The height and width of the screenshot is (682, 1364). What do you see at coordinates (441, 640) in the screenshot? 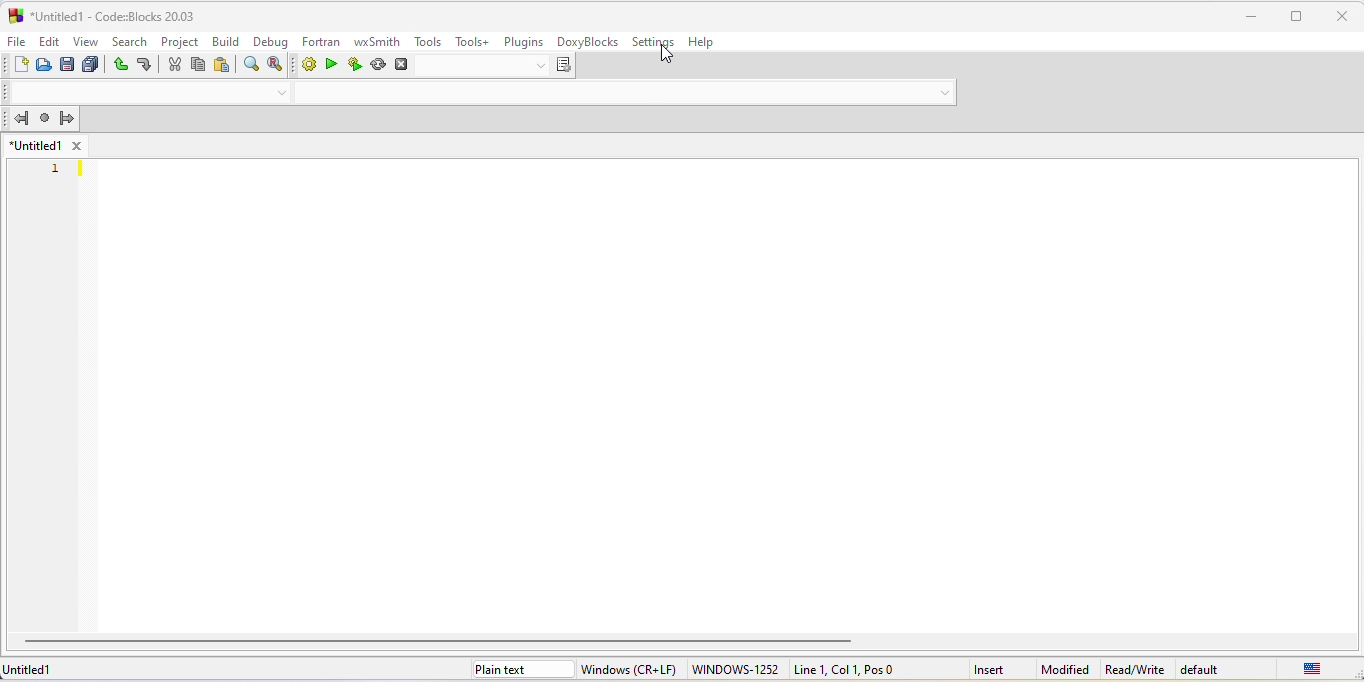
I see `horizontal scroll bar` at bounding box center [441, 640].